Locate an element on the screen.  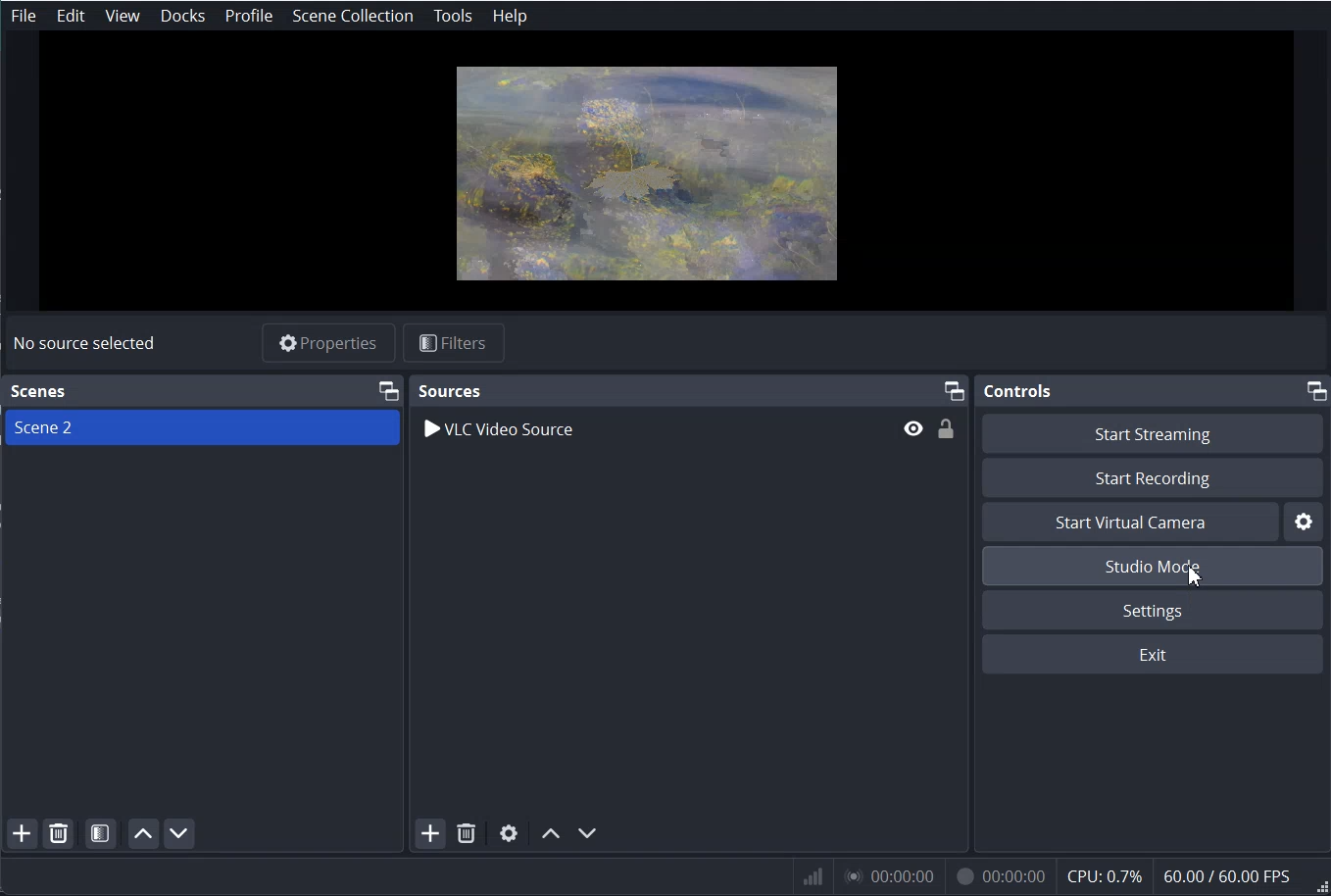
View is located at coordinates (122, 17).